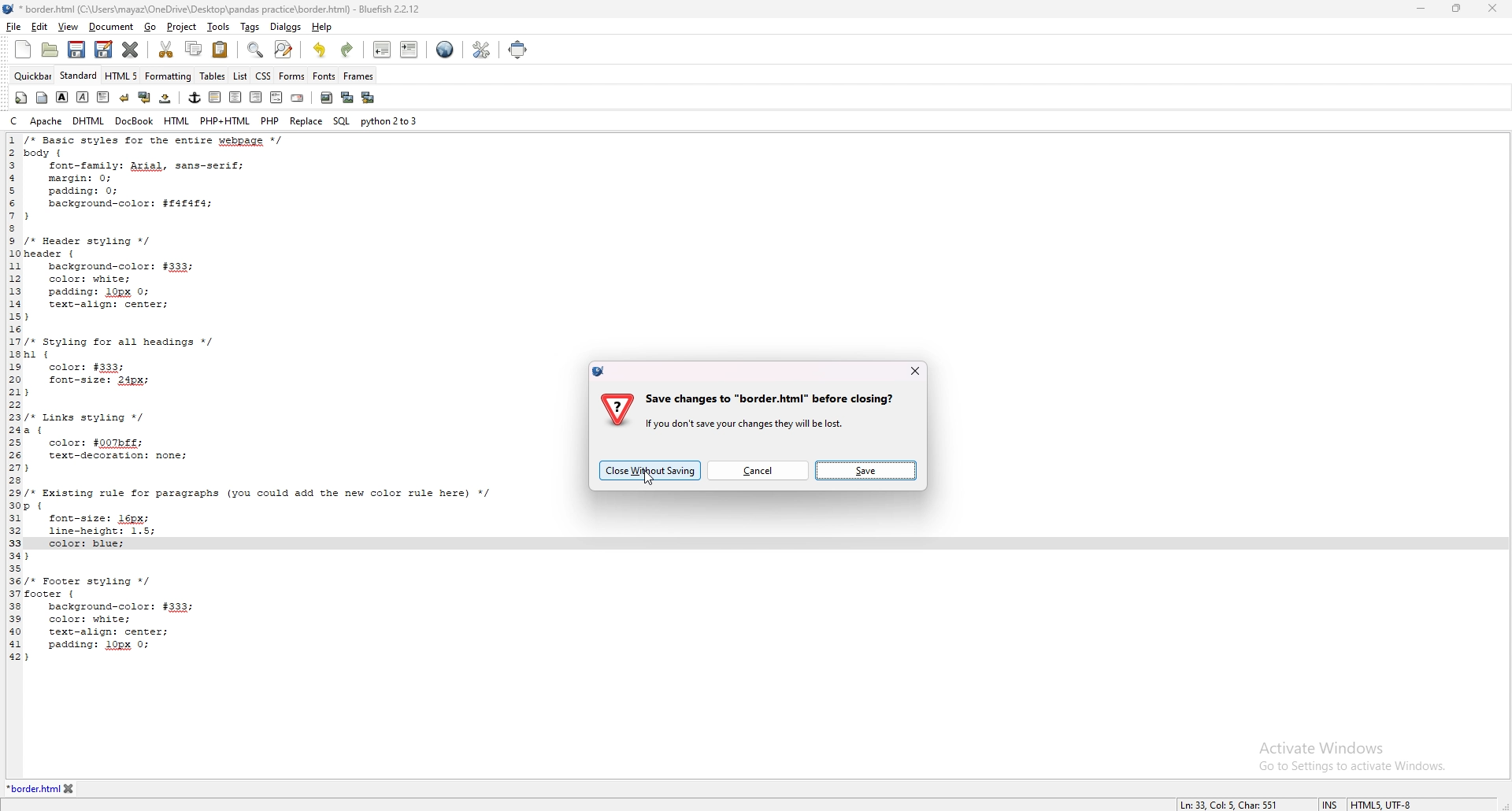 The height and width of the screenshot is (811, 1512). Describe the element at coordinates (240, 76) in the screenshot. I see `list` at that location.